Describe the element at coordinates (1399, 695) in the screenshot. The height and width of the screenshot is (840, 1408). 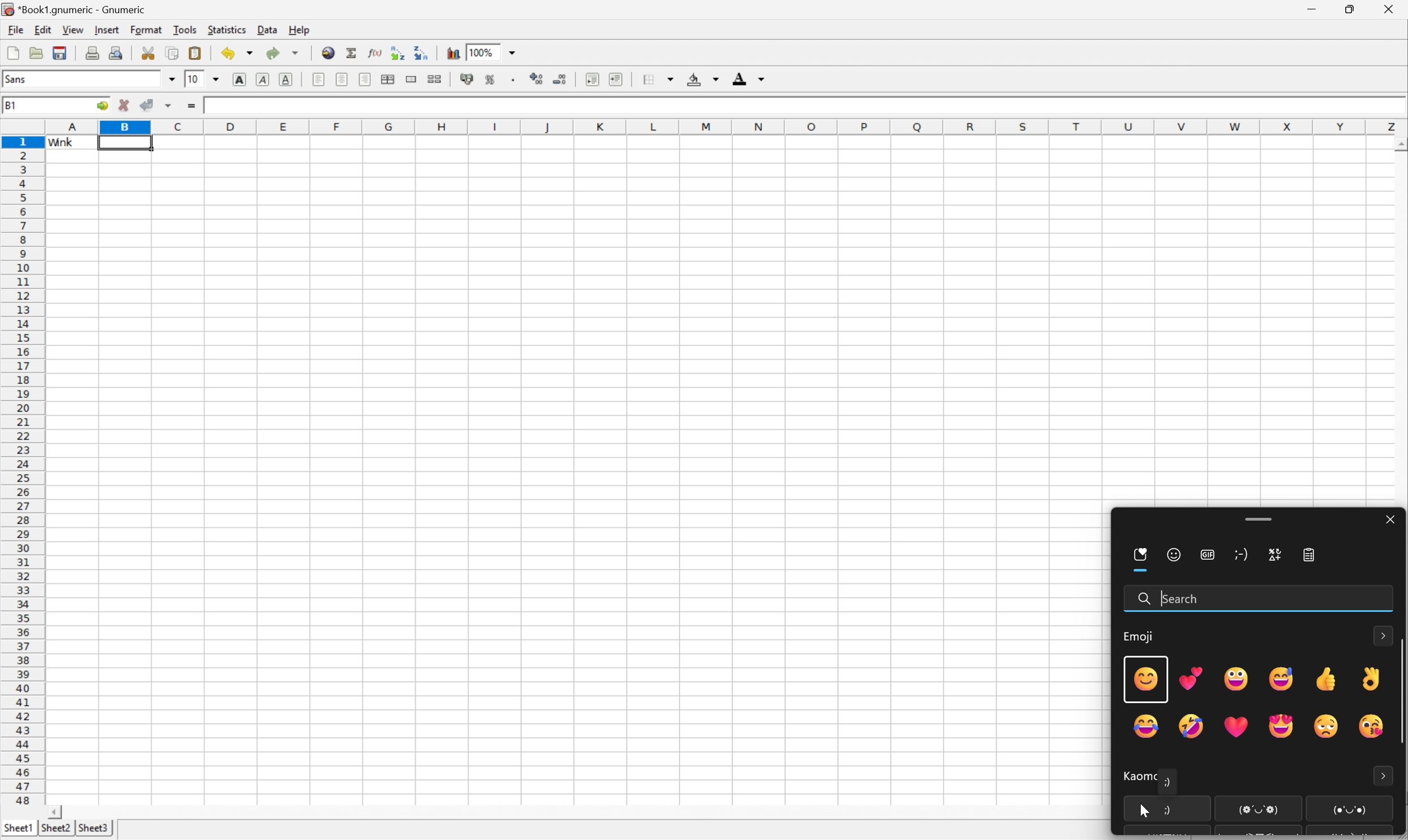
I see `scollbar` at that location.